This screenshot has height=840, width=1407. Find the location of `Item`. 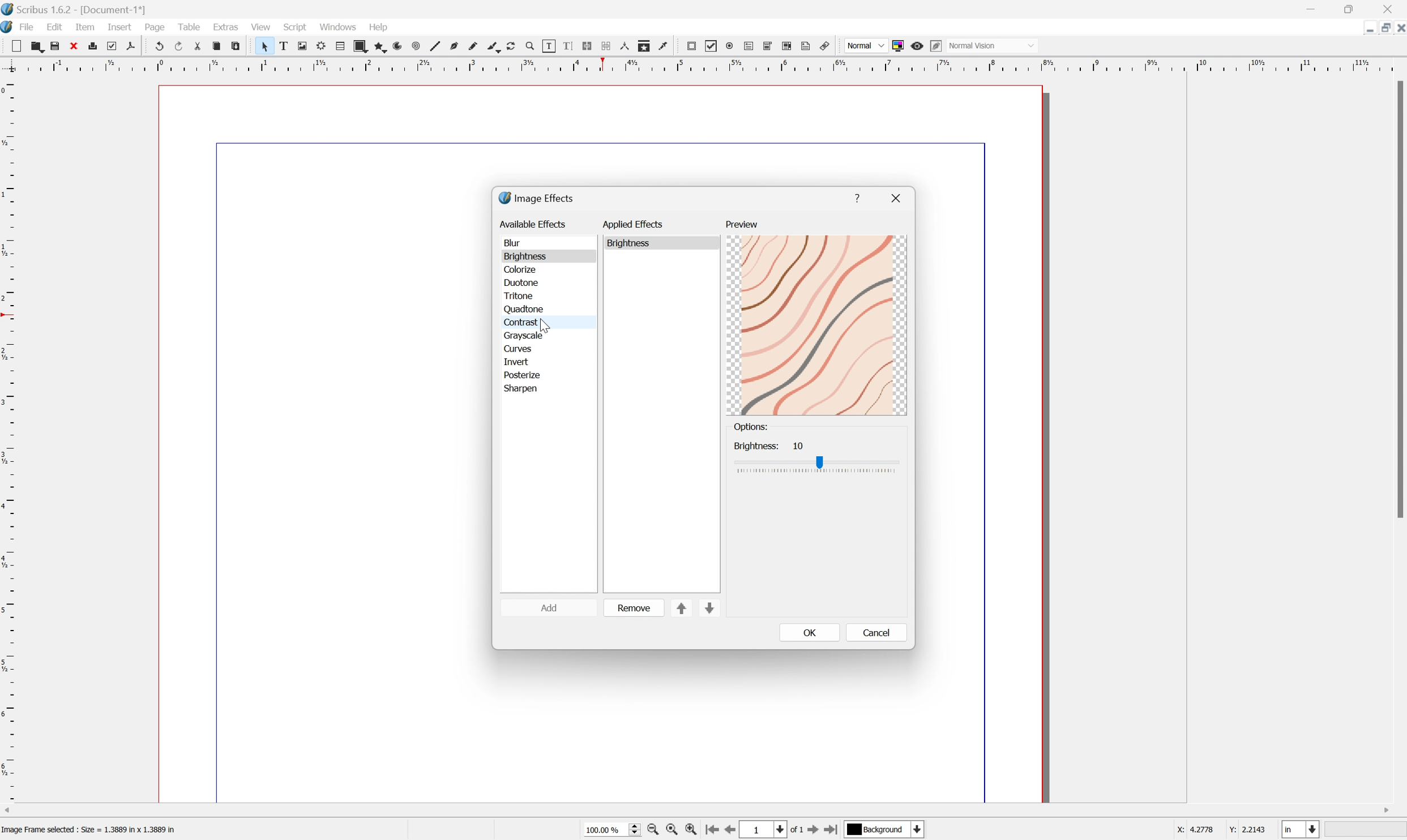

Item is located at coordinates (85, 26).